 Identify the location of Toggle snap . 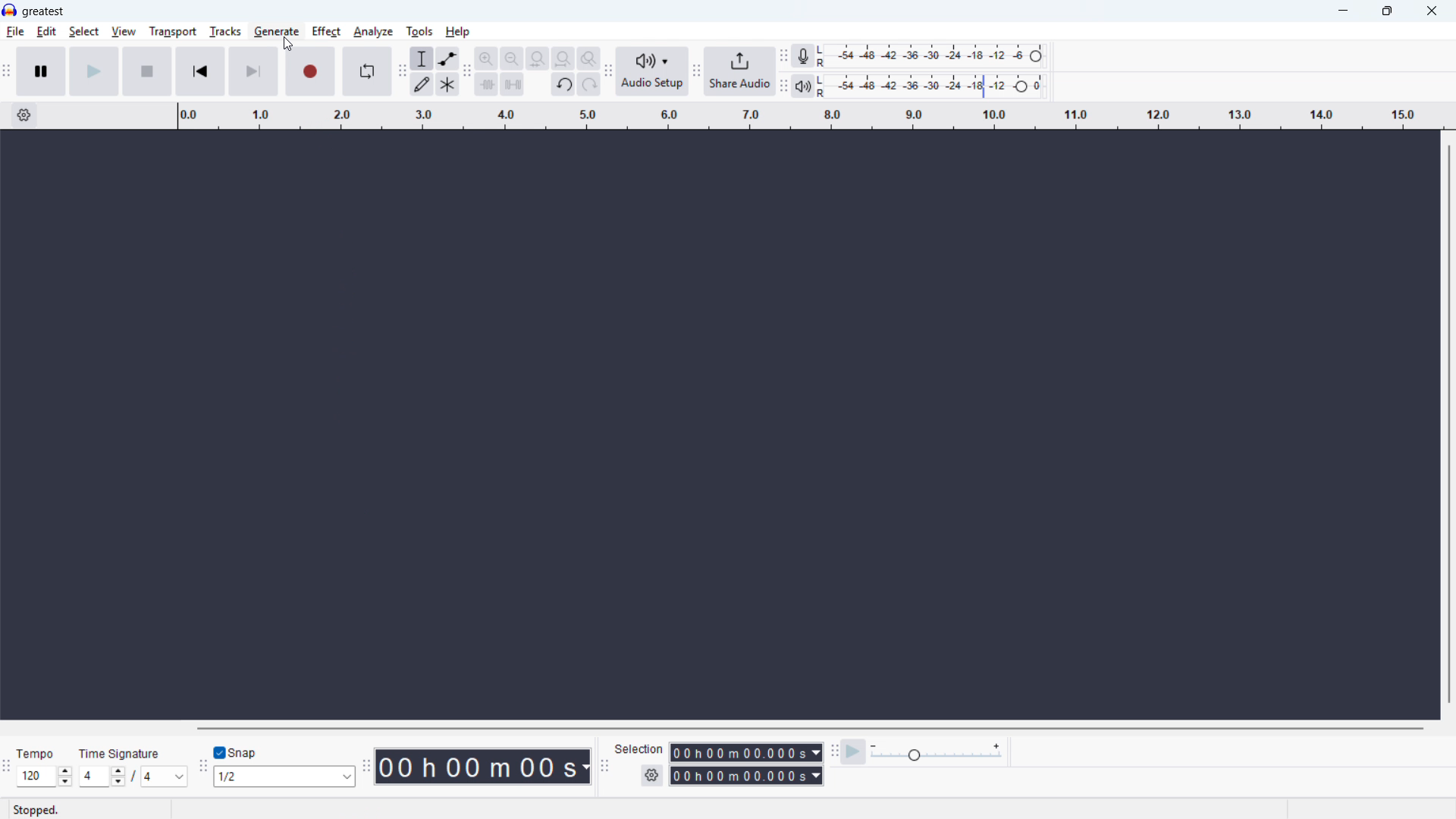
(235, 752).